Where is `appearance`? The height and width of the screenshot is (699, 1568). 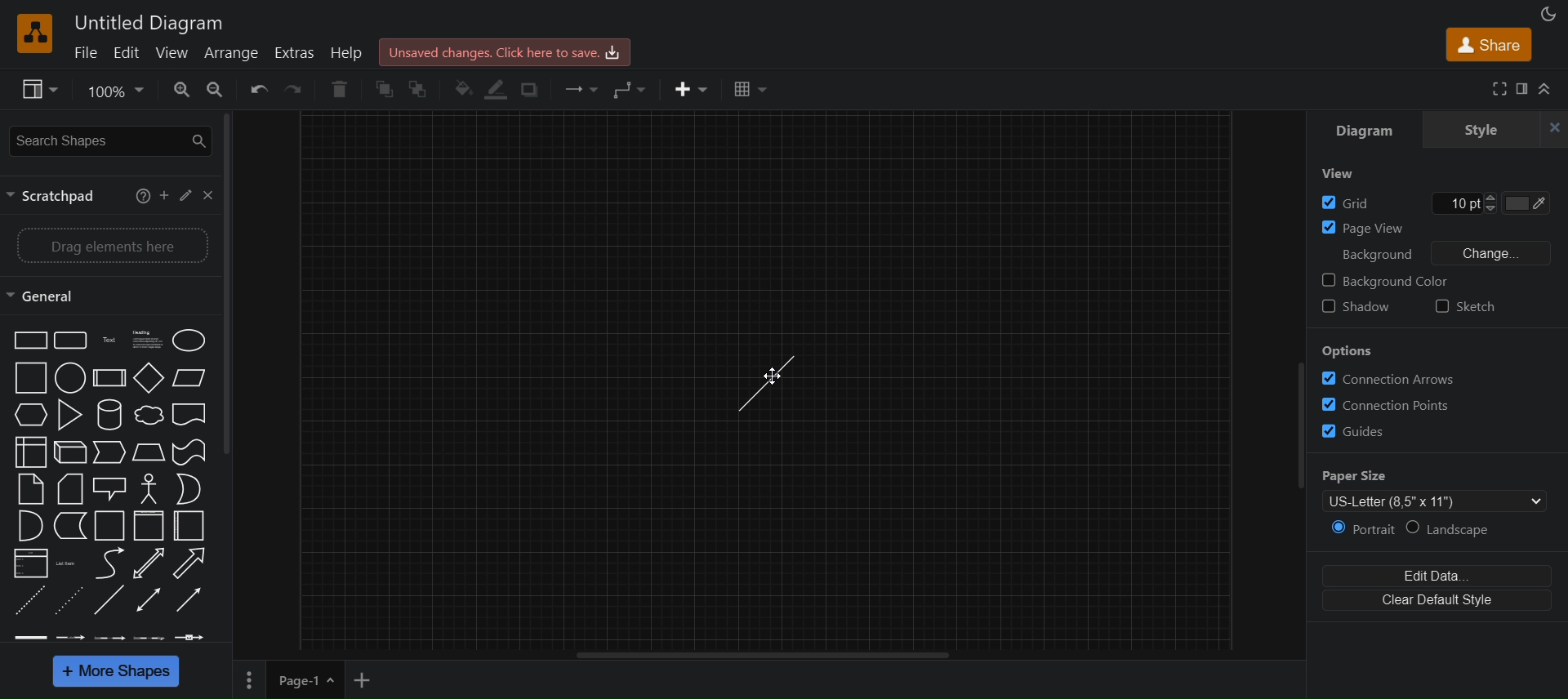 appearance is located at coordinates (1547, 15).